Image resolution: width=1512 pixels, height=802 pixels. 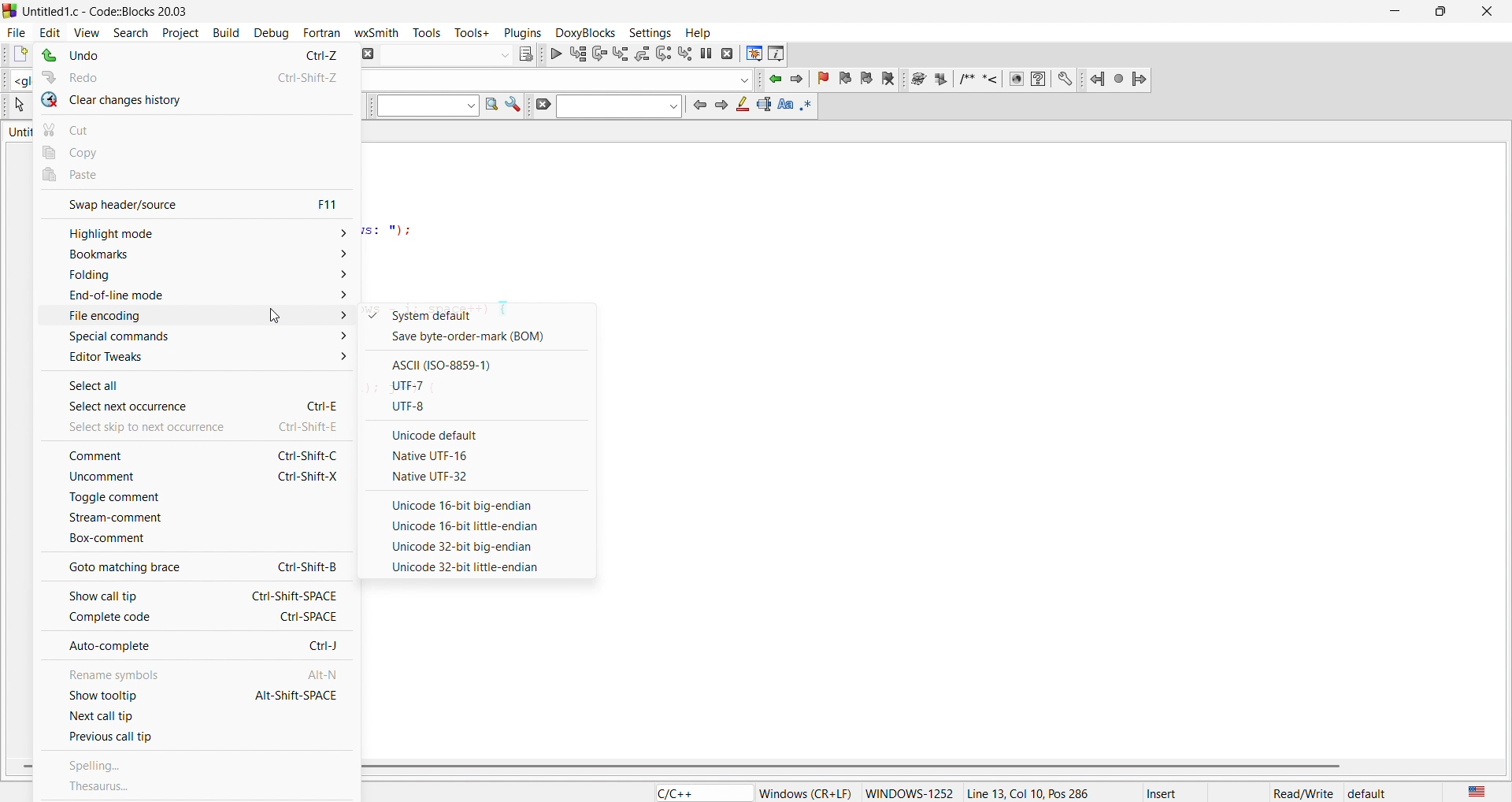 I want to click on complete code, so click(x=196, y=619).